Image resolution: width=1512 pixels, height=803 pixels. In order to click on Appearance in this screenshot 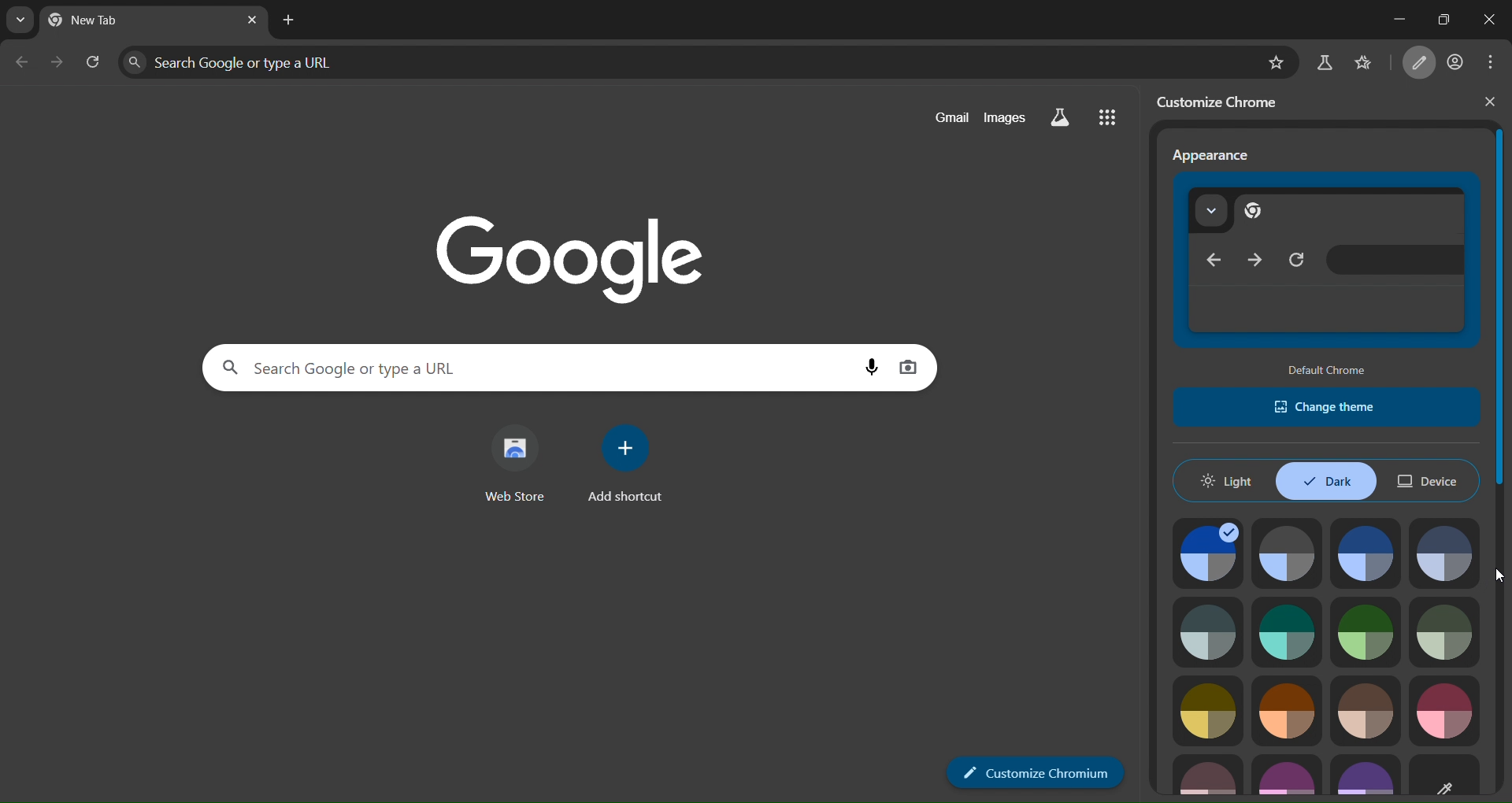, I will do `click(1217, 157)`.